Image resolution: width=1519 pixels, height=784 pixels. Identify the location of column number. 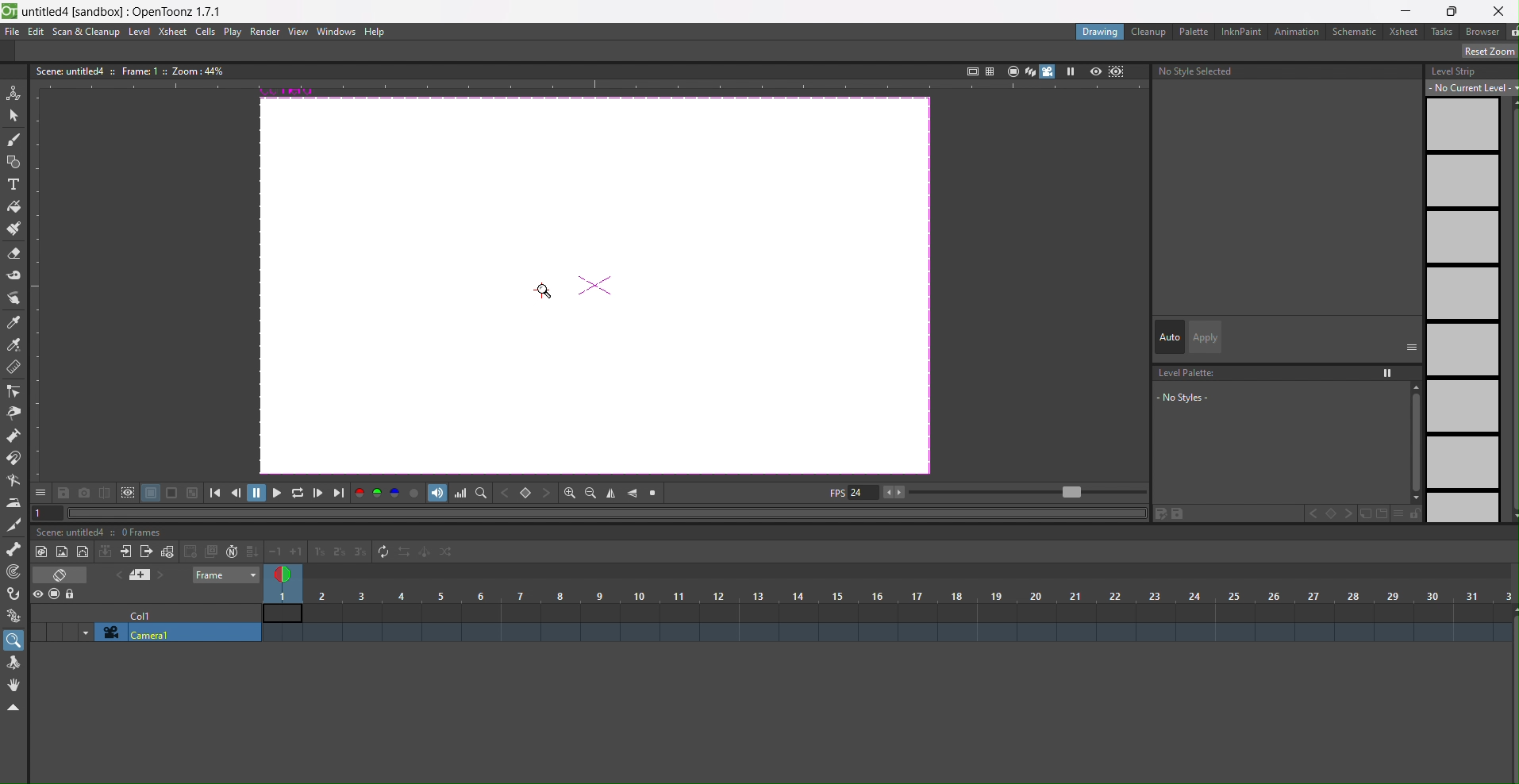
(889, 604).